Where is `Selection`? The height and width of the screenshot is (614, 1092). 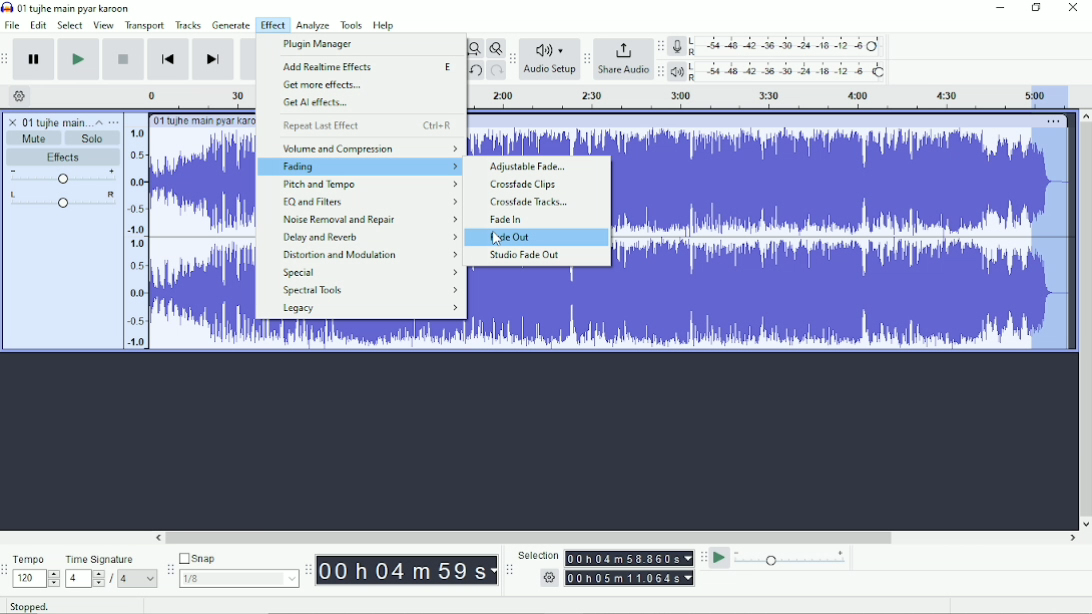 Selection is located at coordinates (538, 553).